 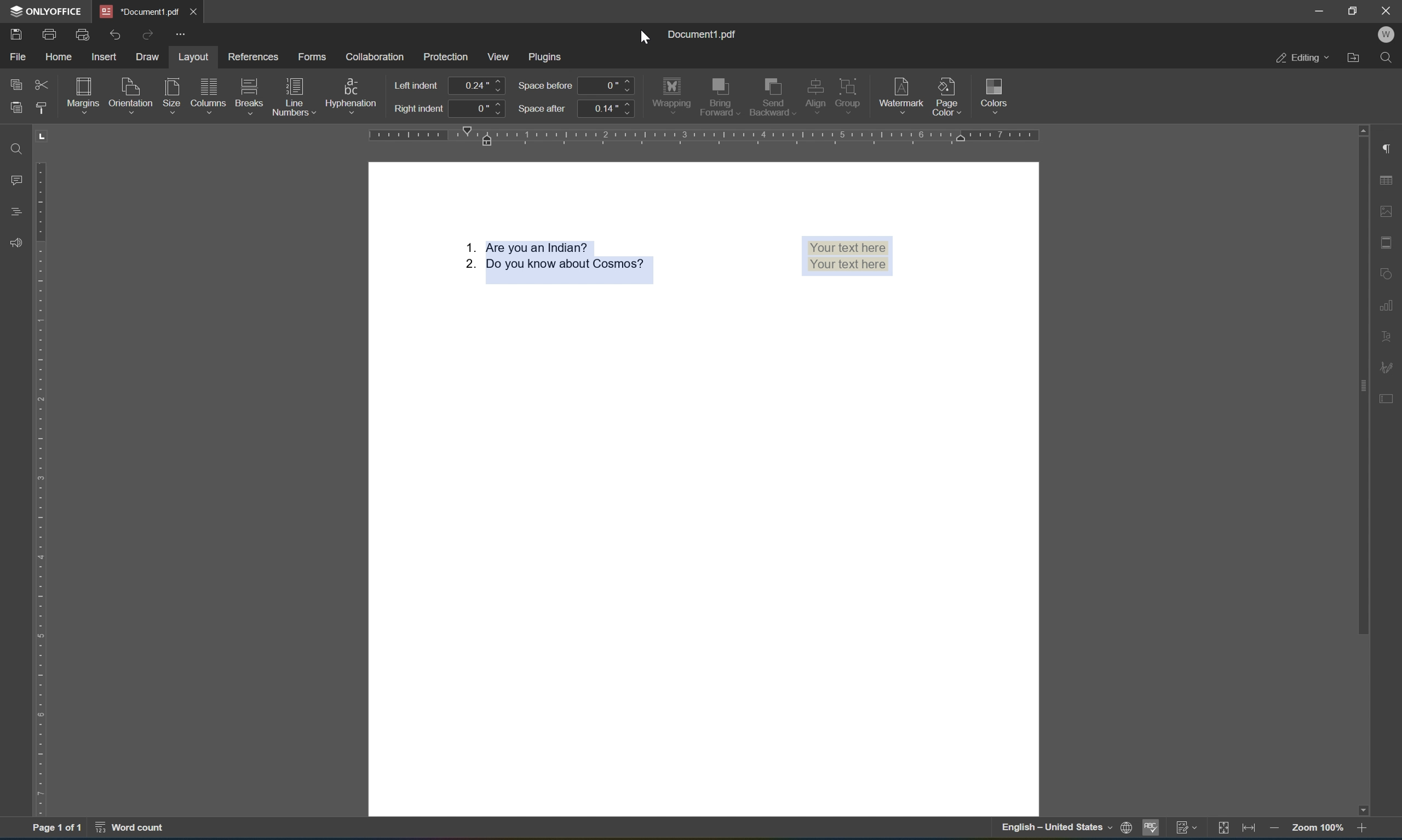 I want to click on W, so click(x=1388, y=33).